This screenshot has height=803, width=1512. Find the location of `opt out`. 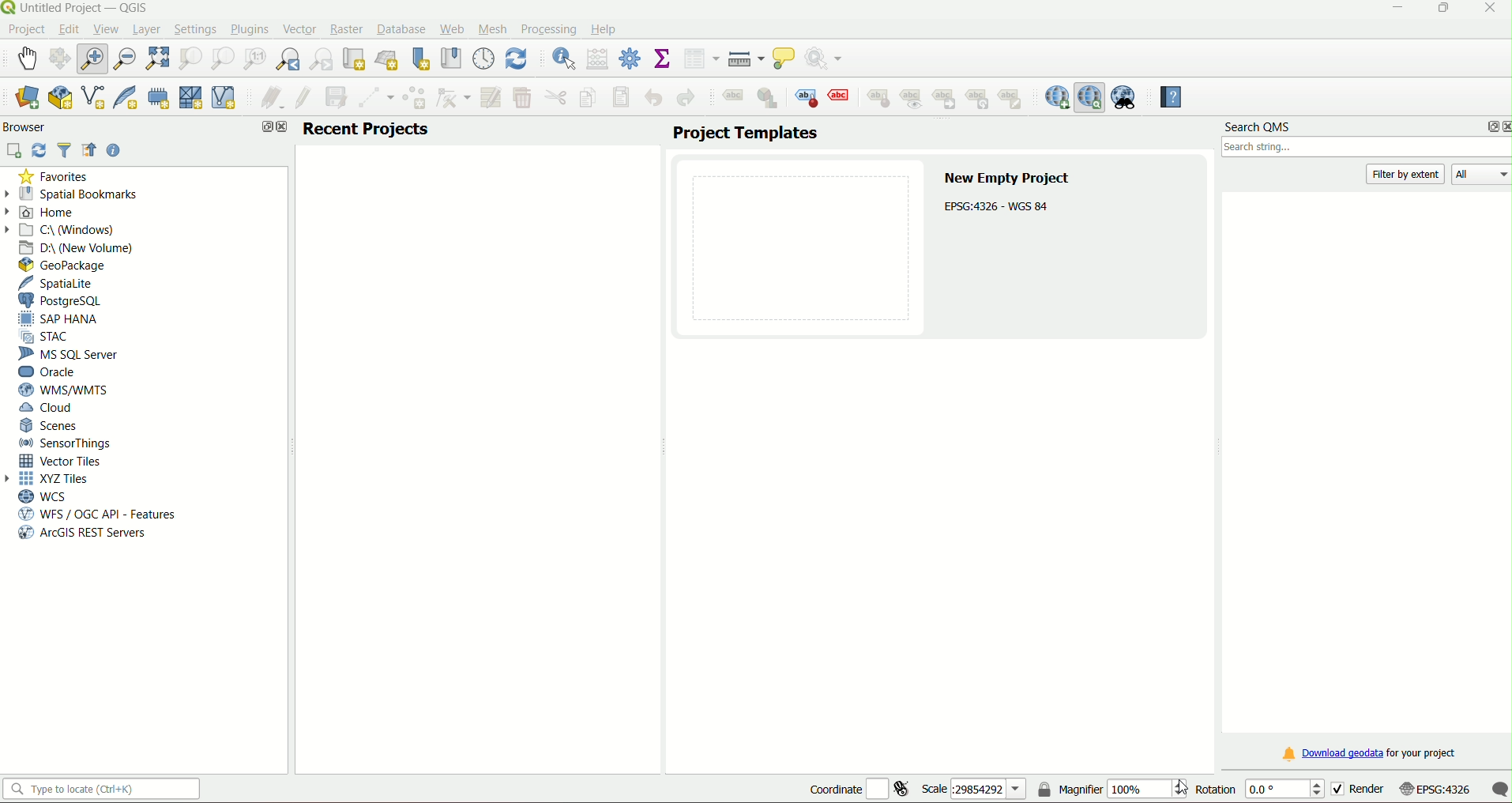

opt out is located at coordinates (263, 127).